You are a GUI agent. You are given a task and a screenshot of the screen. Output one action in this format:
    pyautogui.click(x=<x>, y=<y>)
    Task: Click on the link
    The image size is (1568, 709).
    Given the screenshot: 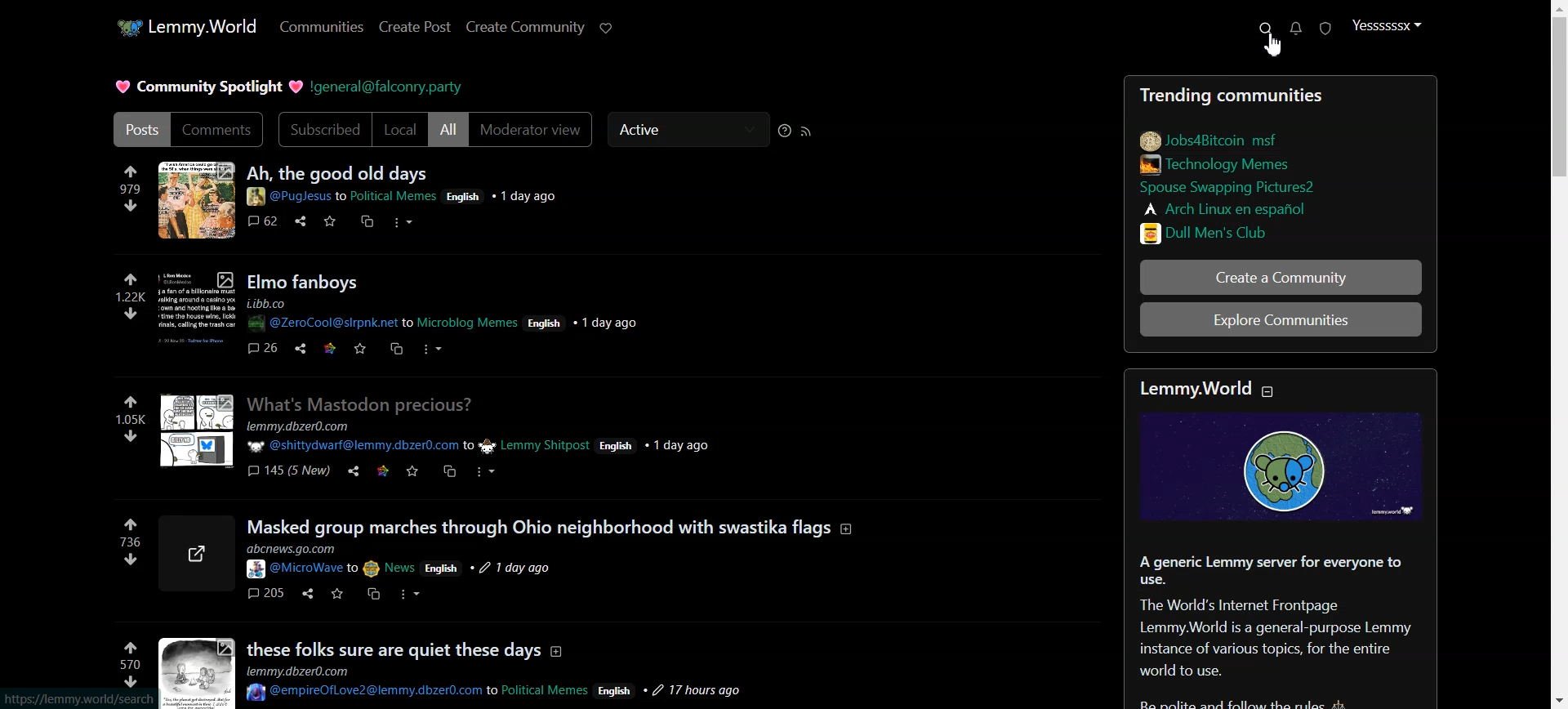 What is the action you would take?
    pyautogui.click(x=194, y=305)
    